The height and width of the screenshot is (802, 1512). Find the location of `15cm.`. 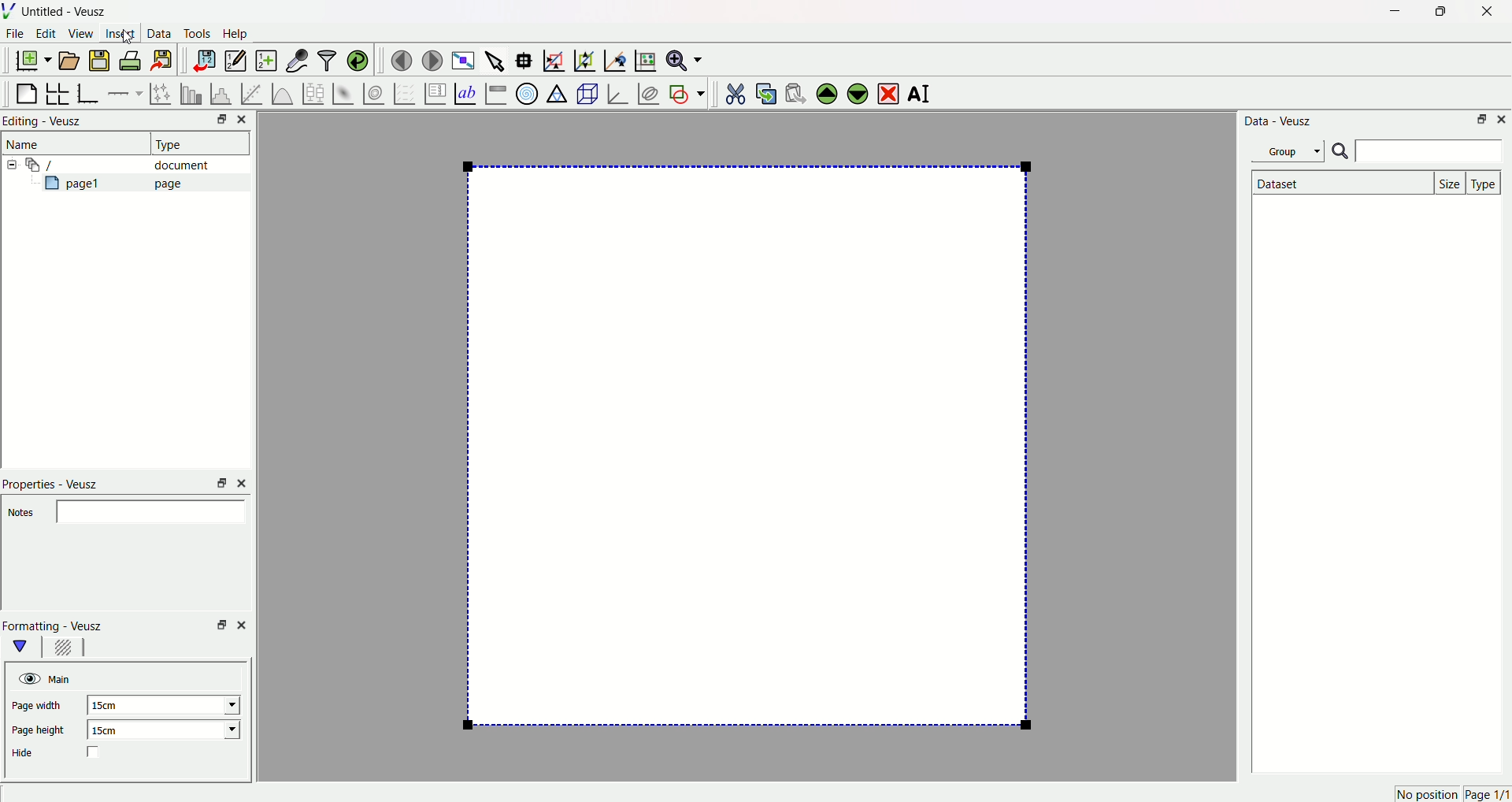

15cm. is located at coordinates (164, 705).